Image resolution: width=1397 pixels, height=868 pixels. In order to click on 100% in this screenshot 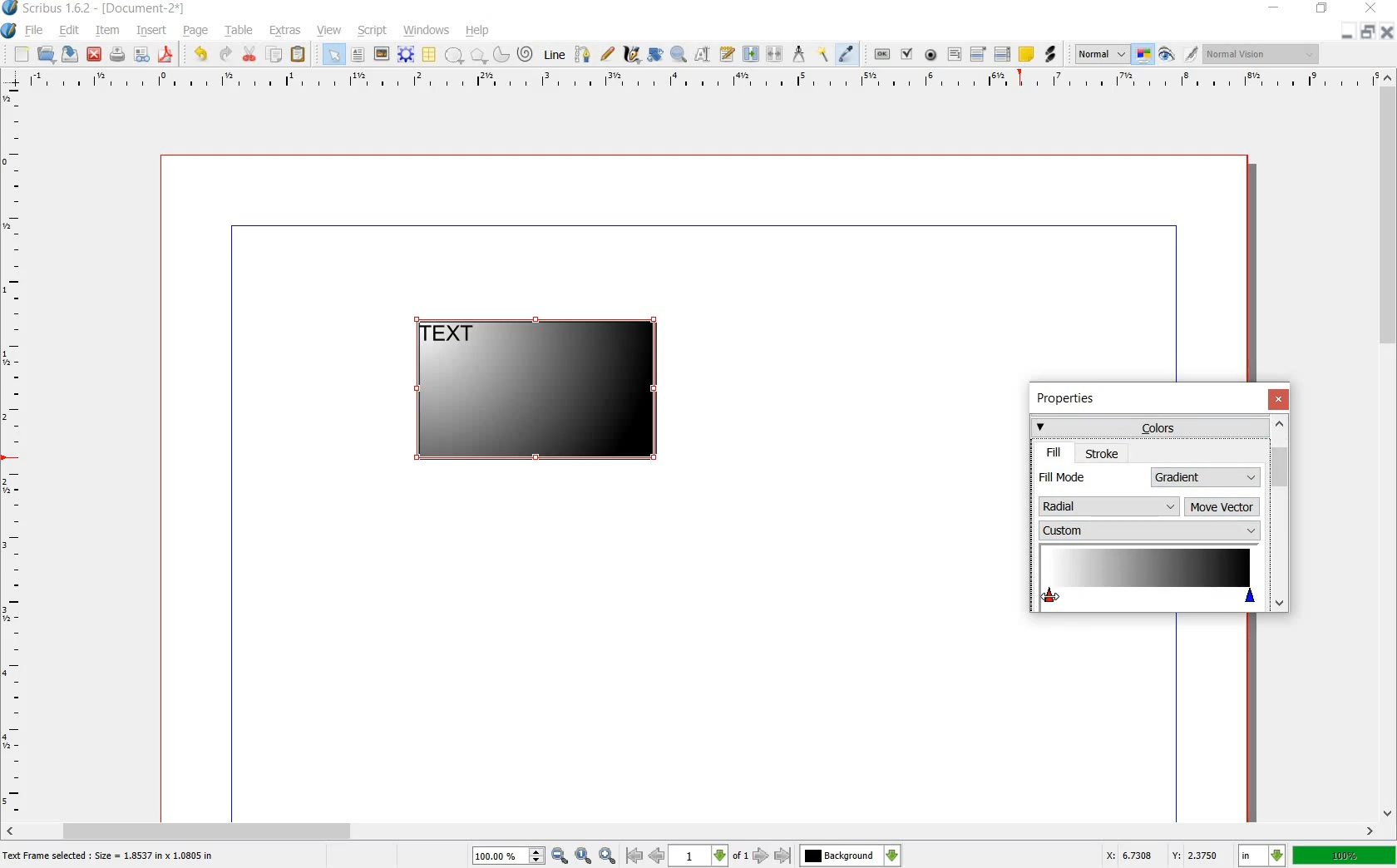, I will do `click(500, 856)`.